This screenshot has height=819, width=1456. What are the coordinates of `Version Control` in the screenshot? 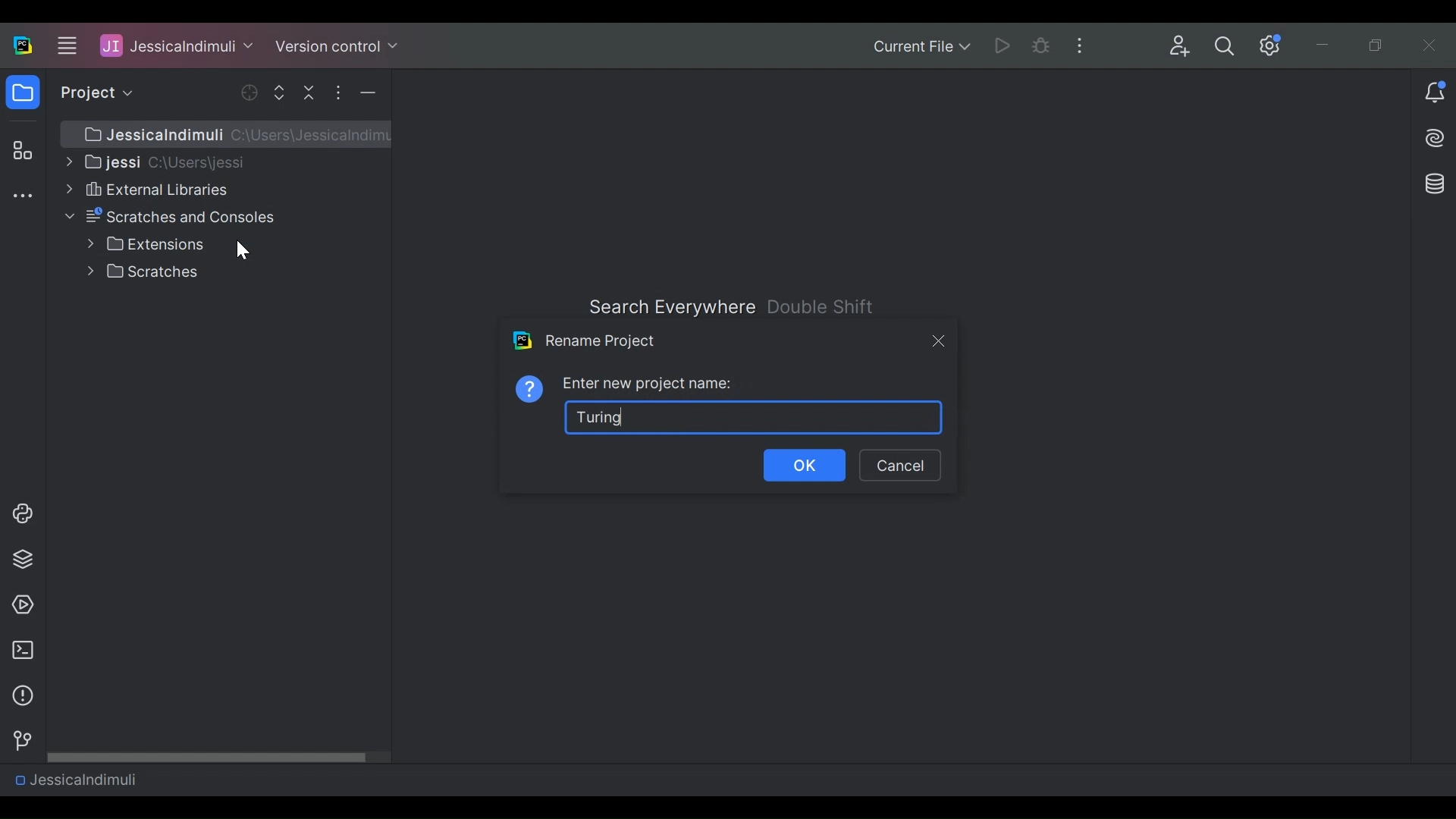 It's located at (337, 45).